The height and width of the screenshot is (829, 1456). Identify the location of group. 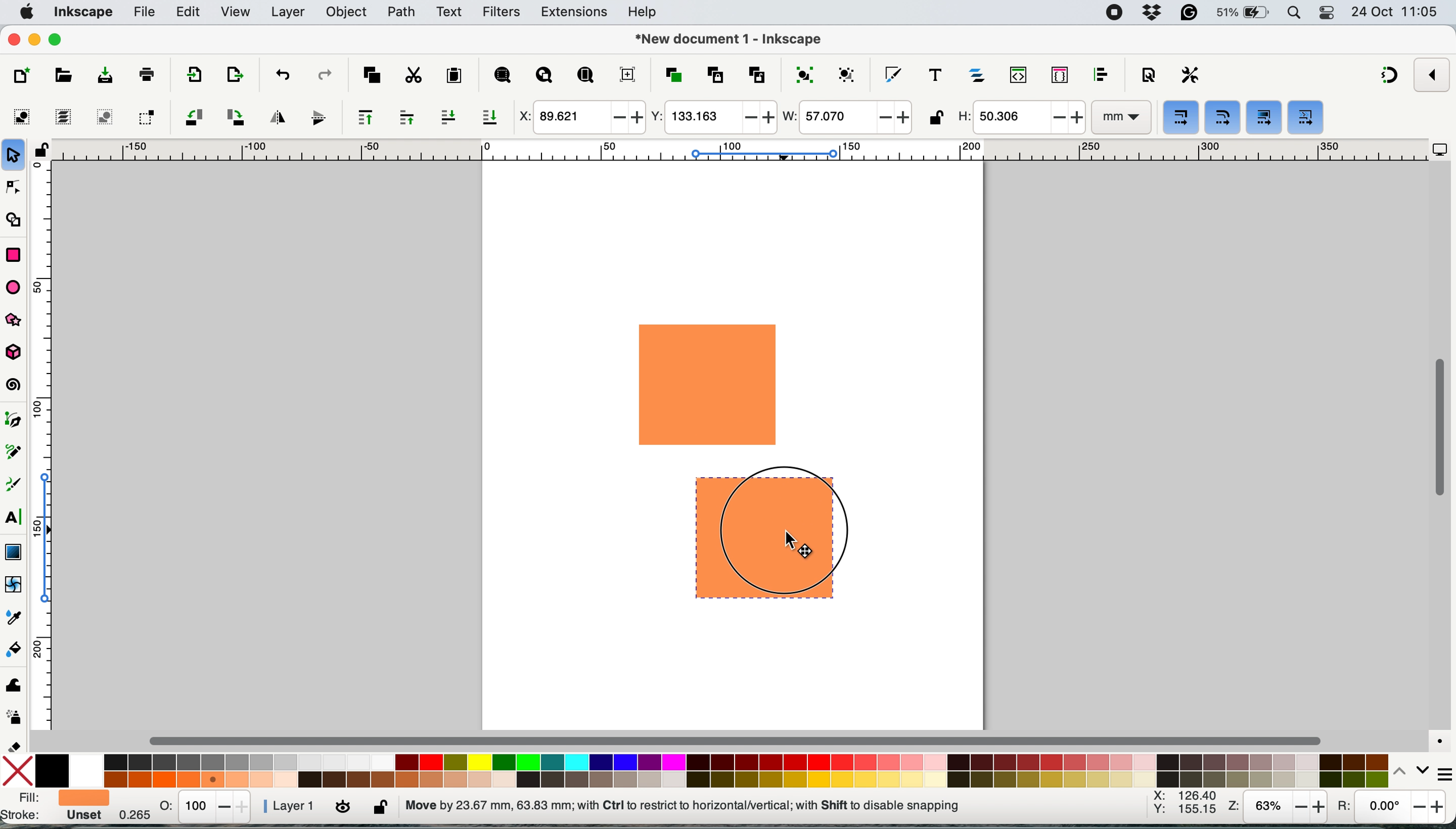
(803, 73).